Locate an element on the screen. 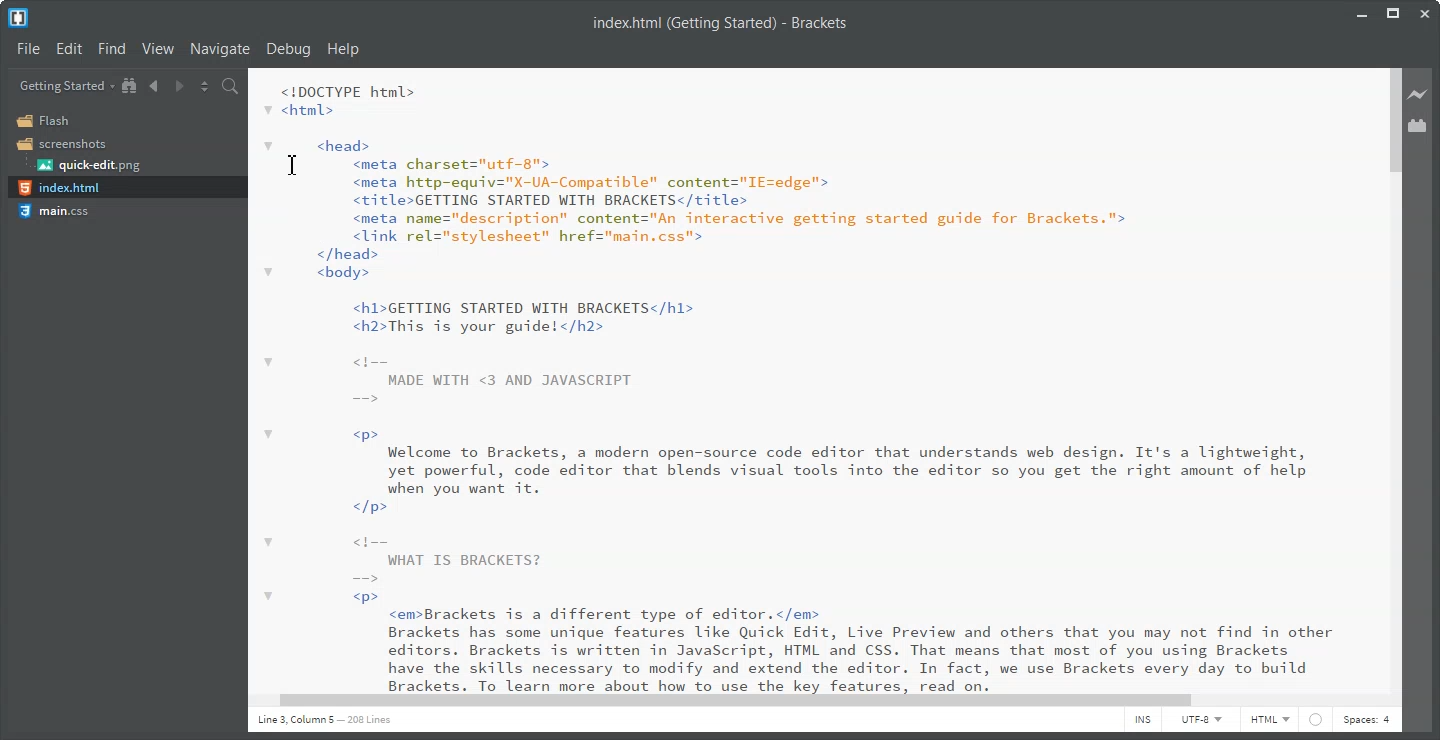 Image resolution: width=1440 pixels, height=740 pixels. Getting Started is located at coordinates (67, 85).